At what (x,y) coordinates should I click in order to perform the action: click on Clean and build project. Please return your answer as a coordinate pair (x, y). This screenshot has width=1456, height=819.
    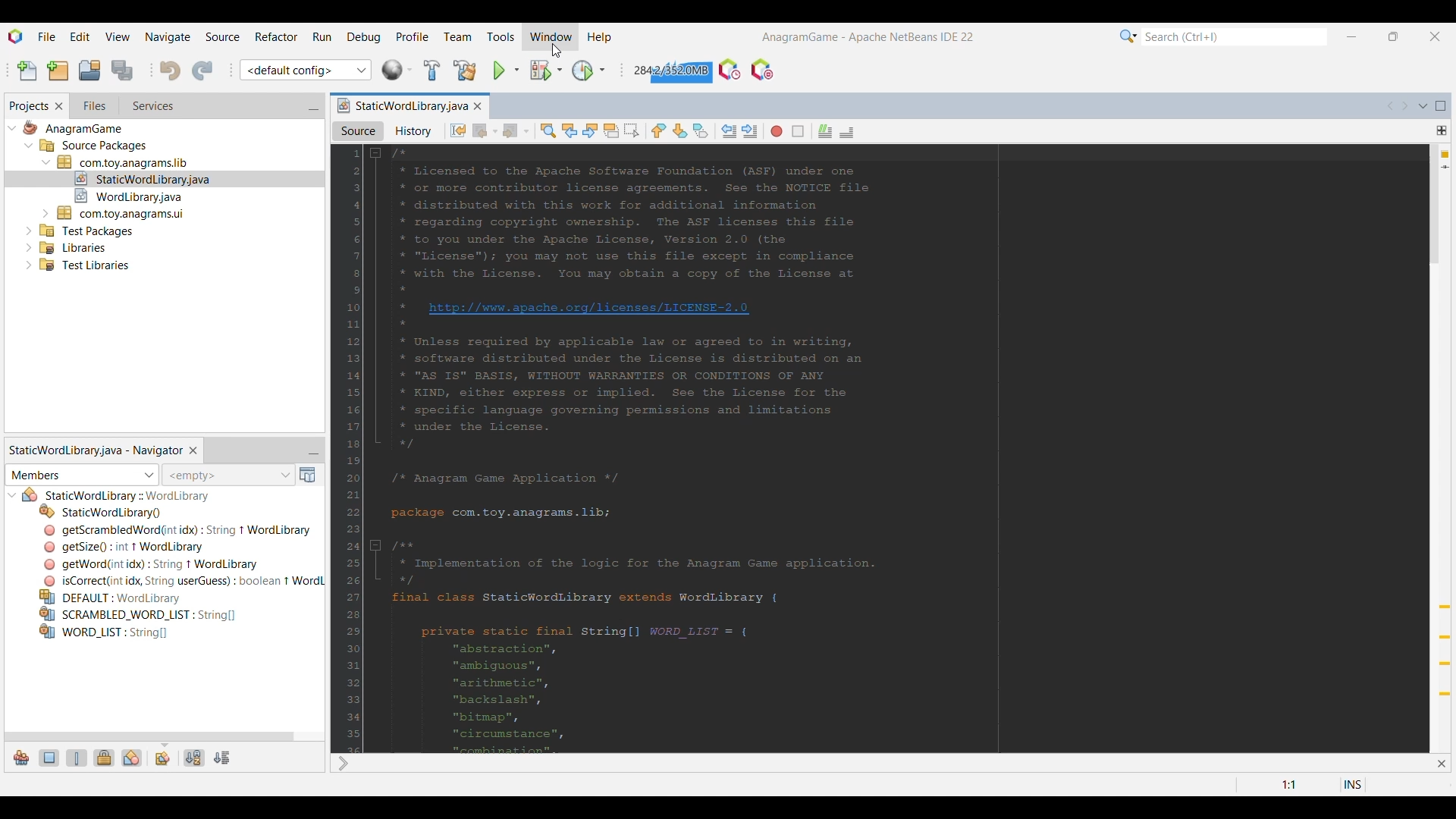
    Looking at the image, I should click on (466, 71).